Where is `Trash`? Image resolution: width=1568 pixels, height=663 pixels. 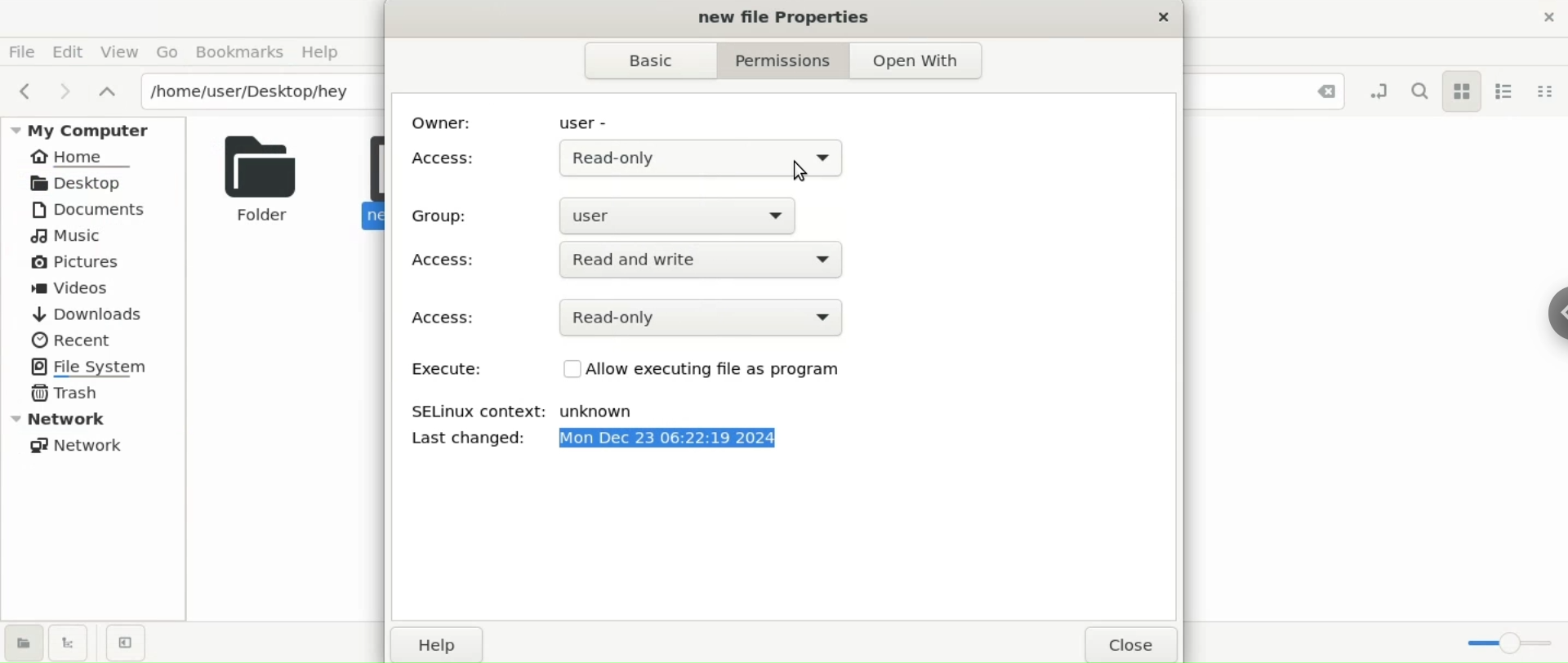
Trash is located at coordinates (67, 394).